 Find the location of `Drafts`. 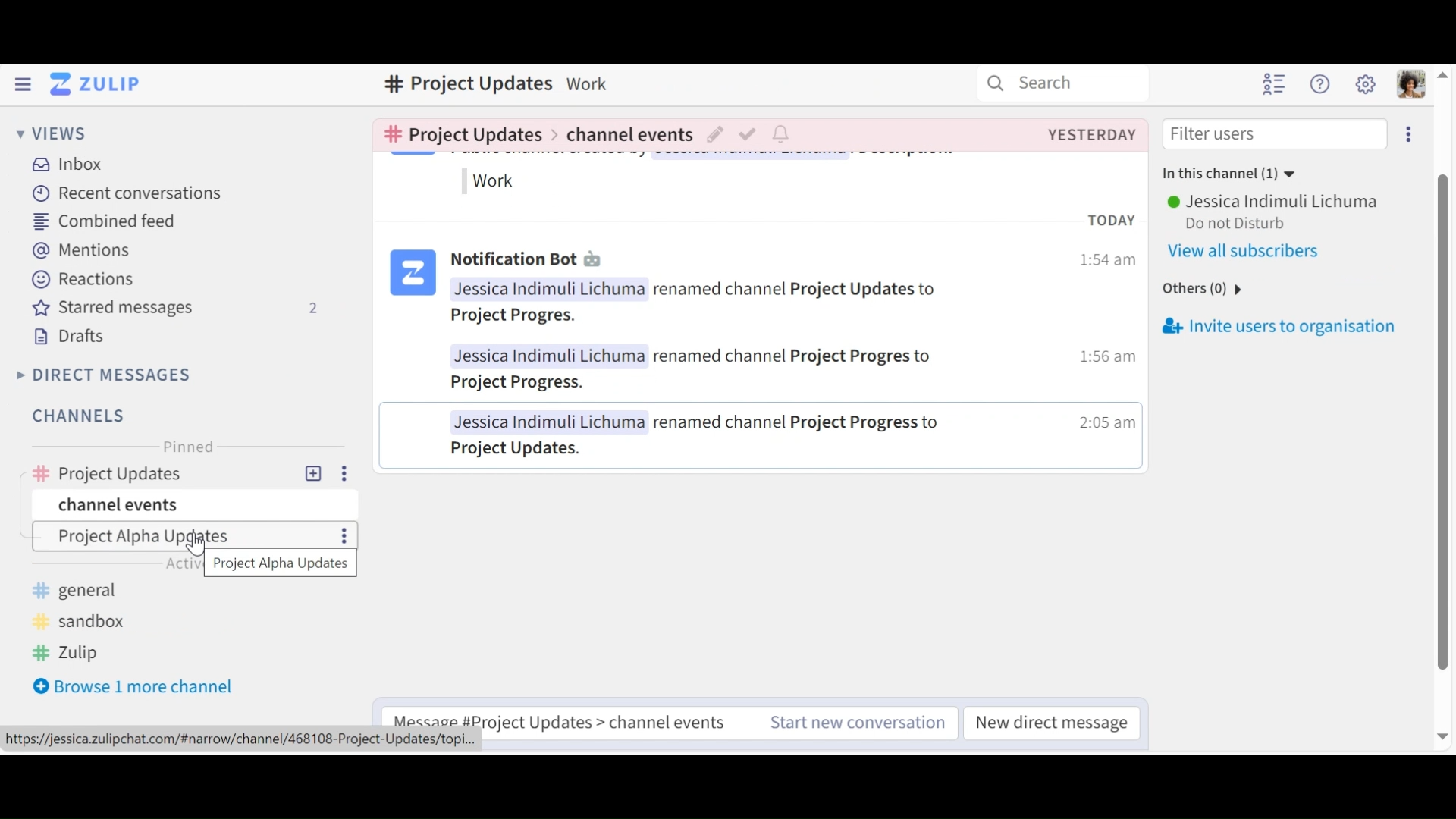

Drafts is located at coordinates (69, 337).